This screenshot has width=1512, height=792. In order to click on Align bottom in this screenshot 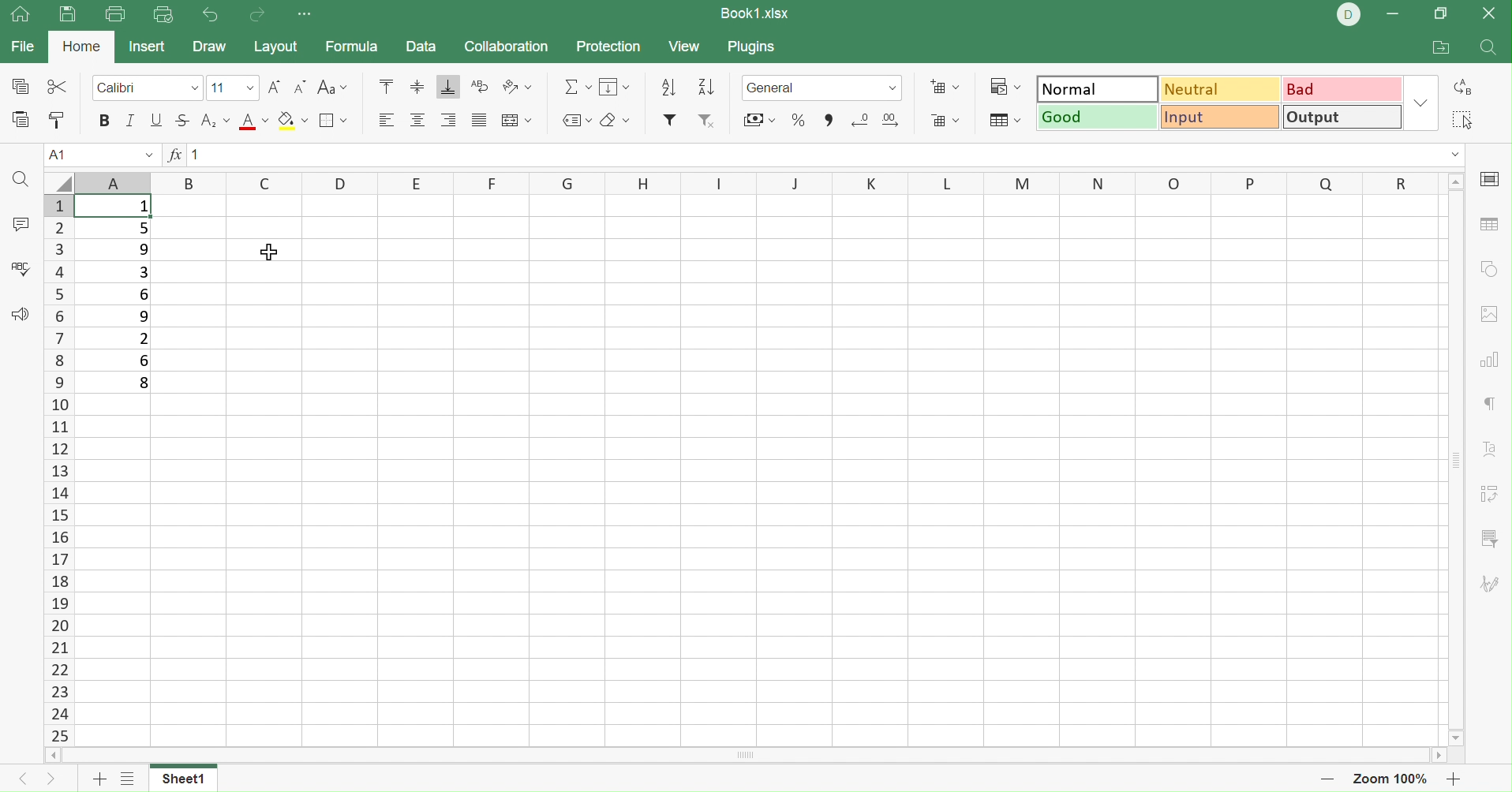, I will do `click(449, 85)`.